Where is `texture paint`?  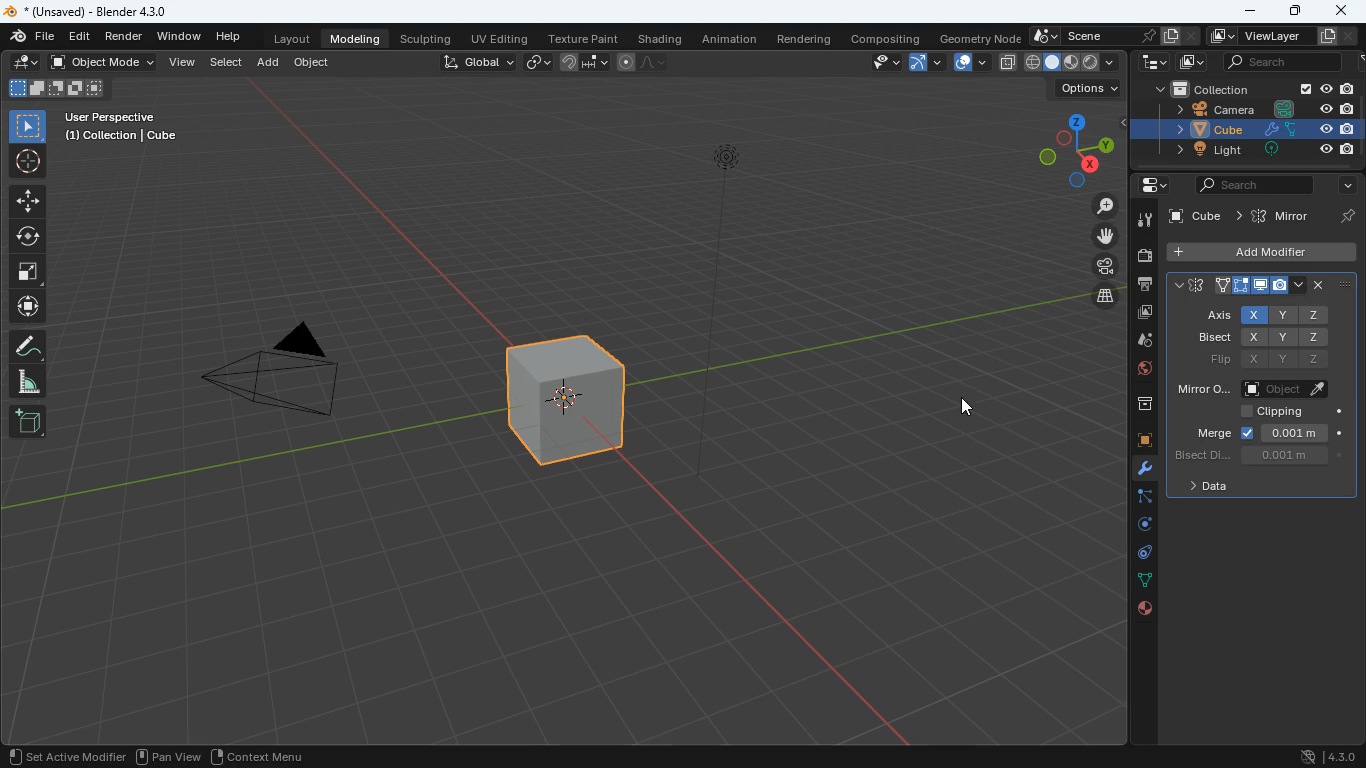 texture paint is located at coordinates (584, 38).